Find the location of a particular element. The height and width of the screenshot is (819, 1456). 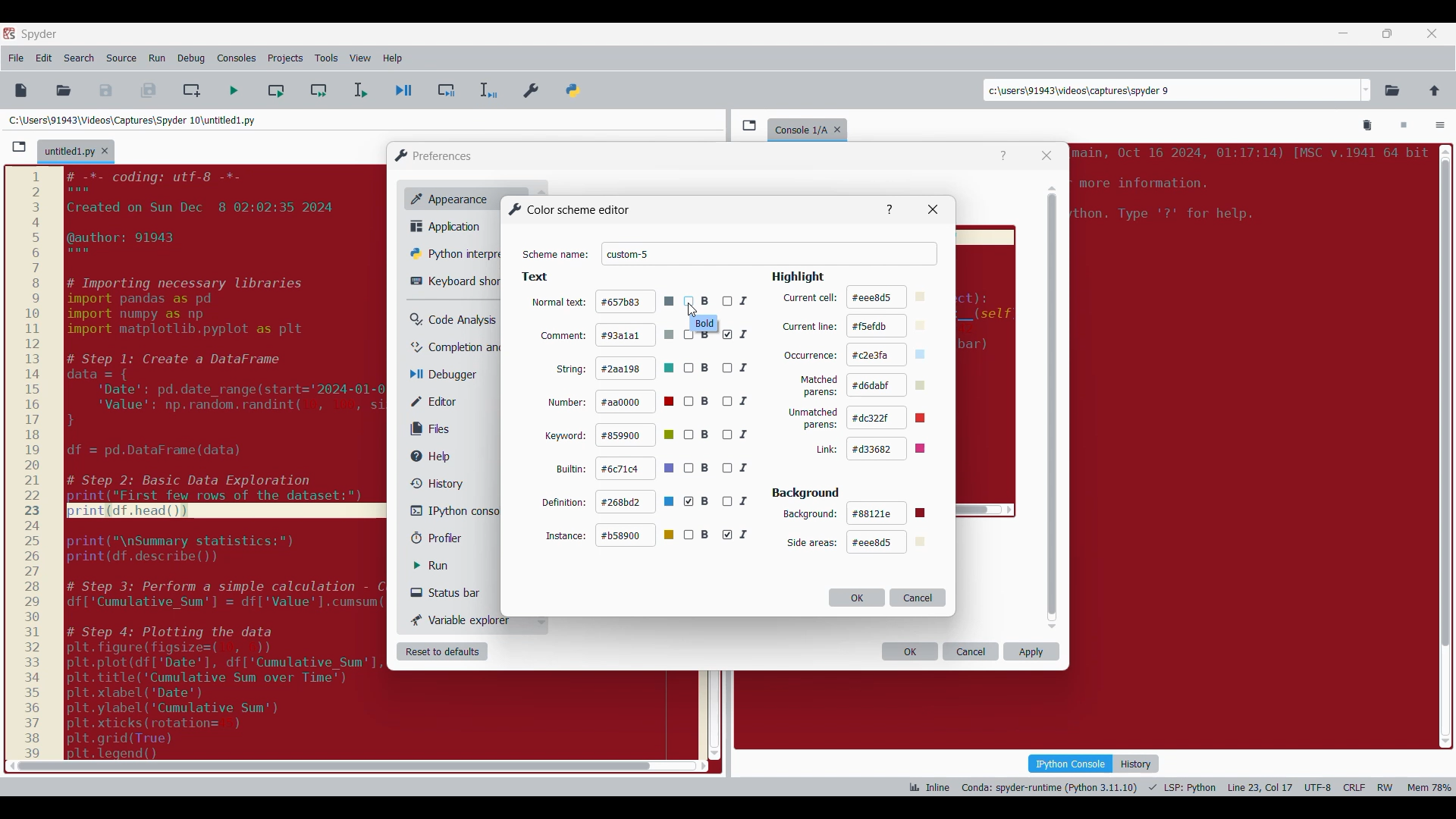

Cancel is located at coordinates (971, 651).